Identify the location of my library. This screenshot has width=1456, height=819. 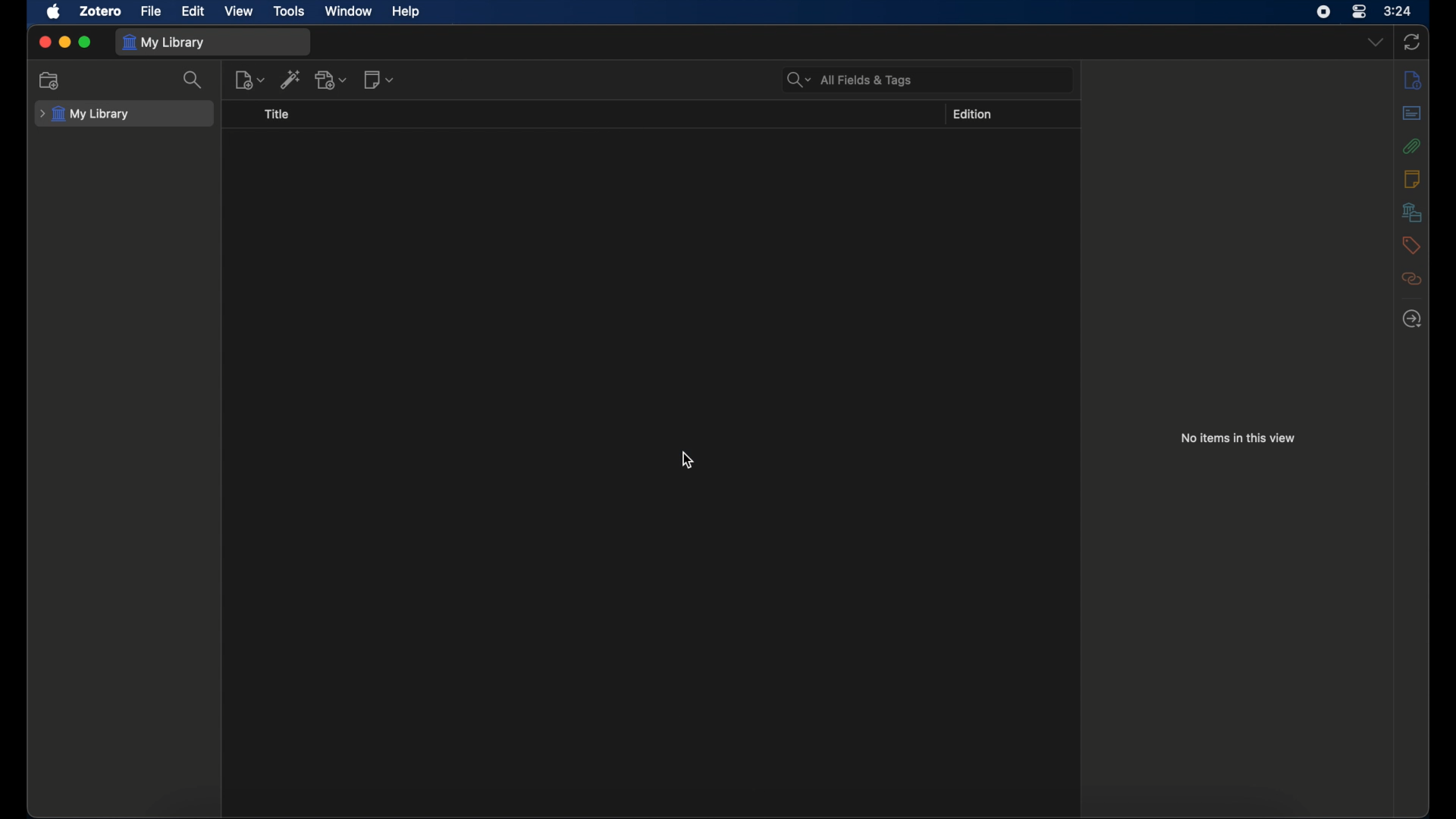
(85, 115).